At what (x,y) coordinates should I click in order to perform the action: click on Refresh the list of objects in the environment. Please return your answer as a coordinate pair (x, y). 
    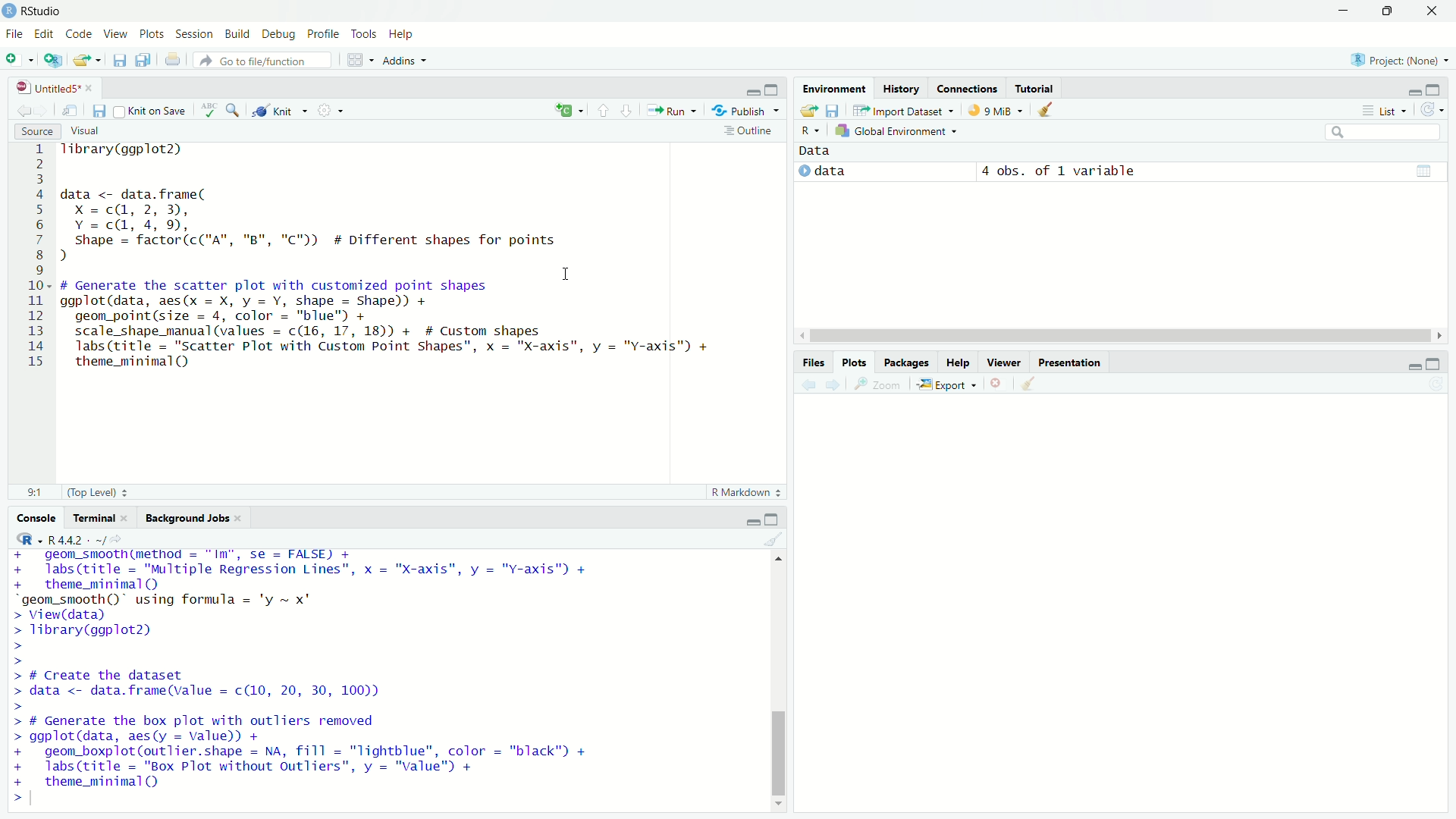
    Looking at the image, I should click on (1432, 109).